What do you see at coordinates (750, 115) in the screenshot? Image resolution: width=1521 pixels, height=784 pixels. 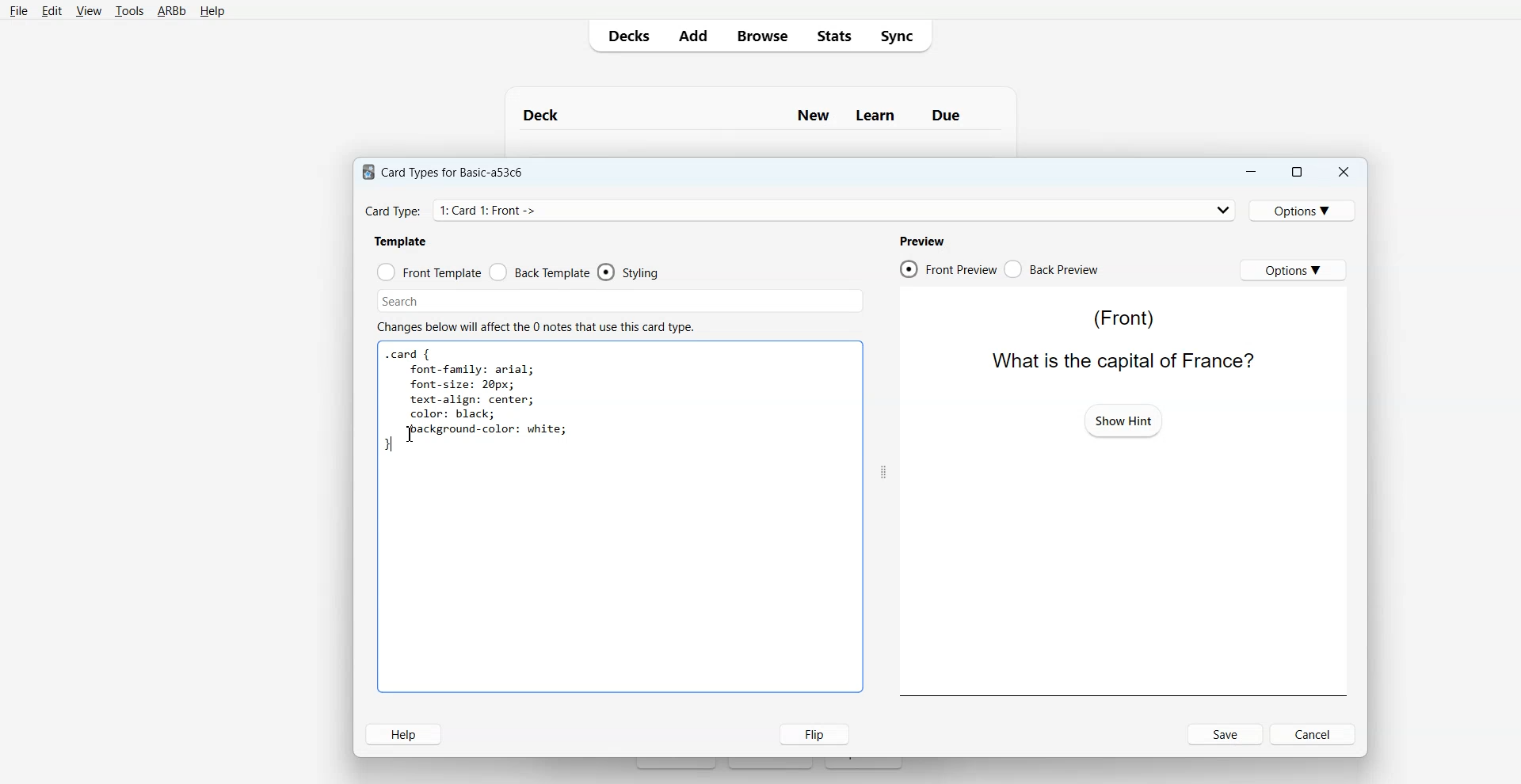 I see `Deck New Learn Due` at bounding box center [750, 115].